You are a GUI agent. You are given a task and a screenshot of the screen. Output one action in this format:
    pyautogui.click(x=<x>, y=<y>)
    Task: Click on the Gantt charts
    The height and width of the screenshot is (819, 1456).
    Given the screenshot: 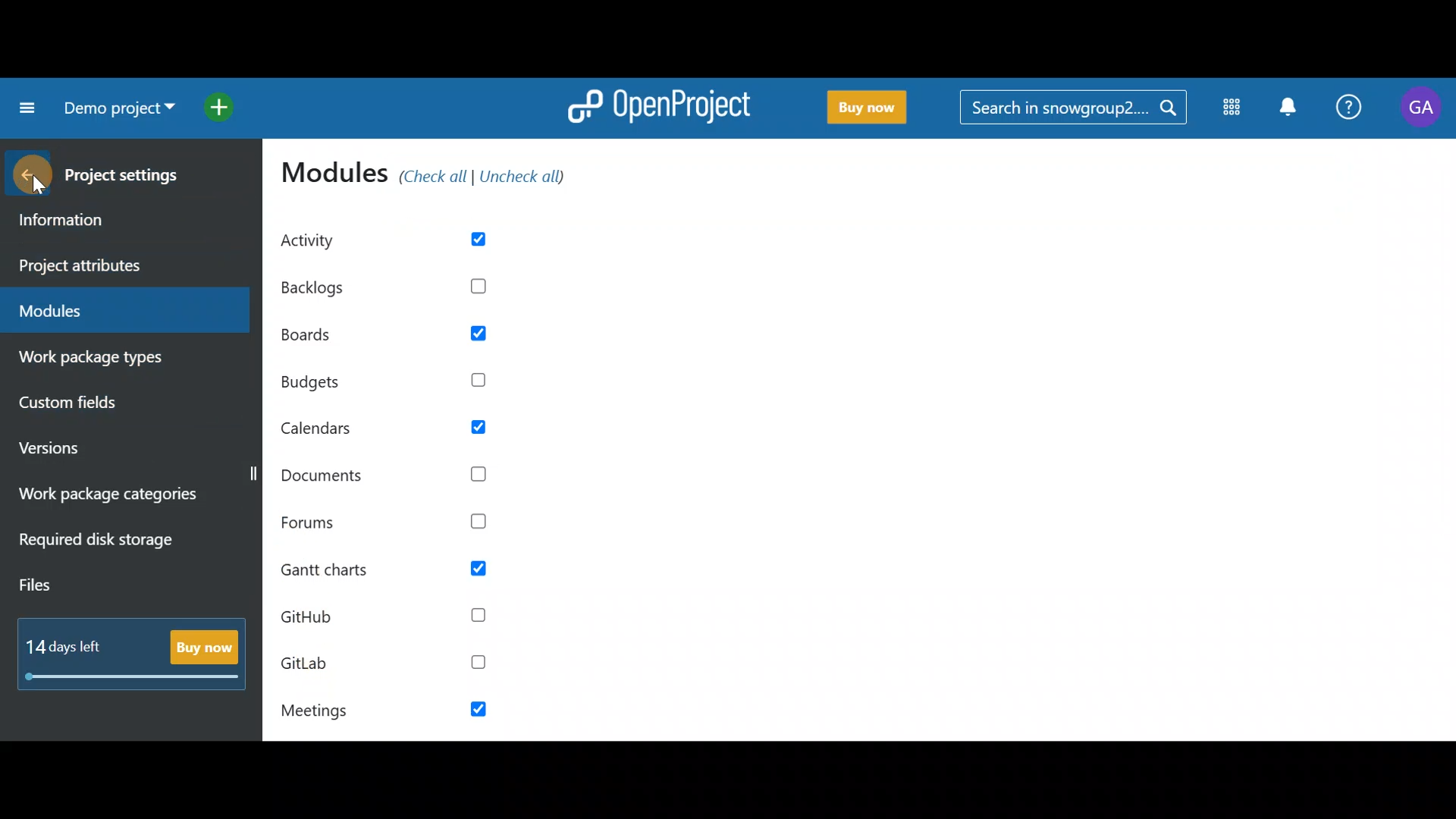 What is the action you would take?
    pyautogui.click(x=394, y=570)
    